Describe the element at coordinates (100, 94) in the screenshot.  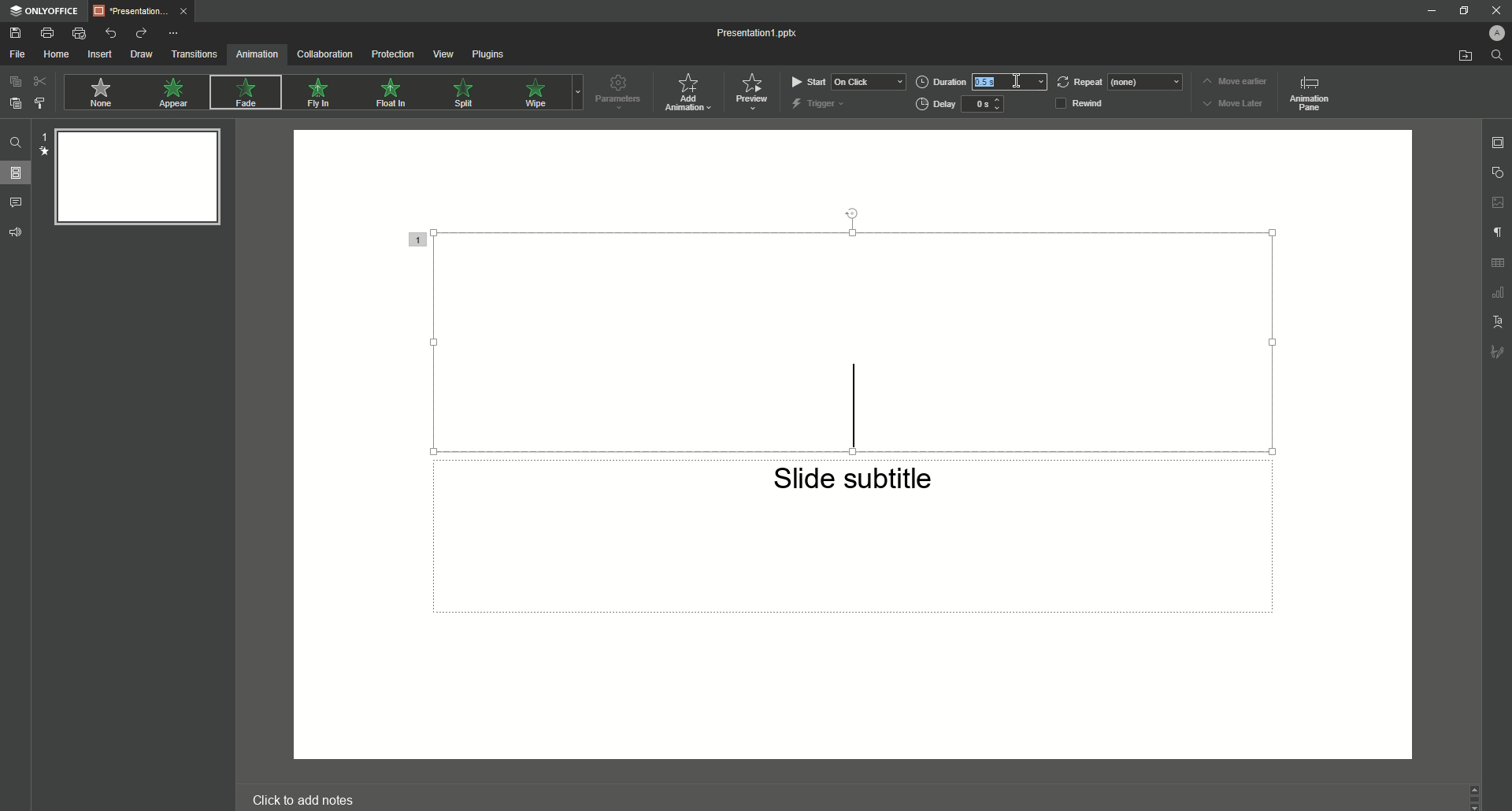
I see `None` at that location.